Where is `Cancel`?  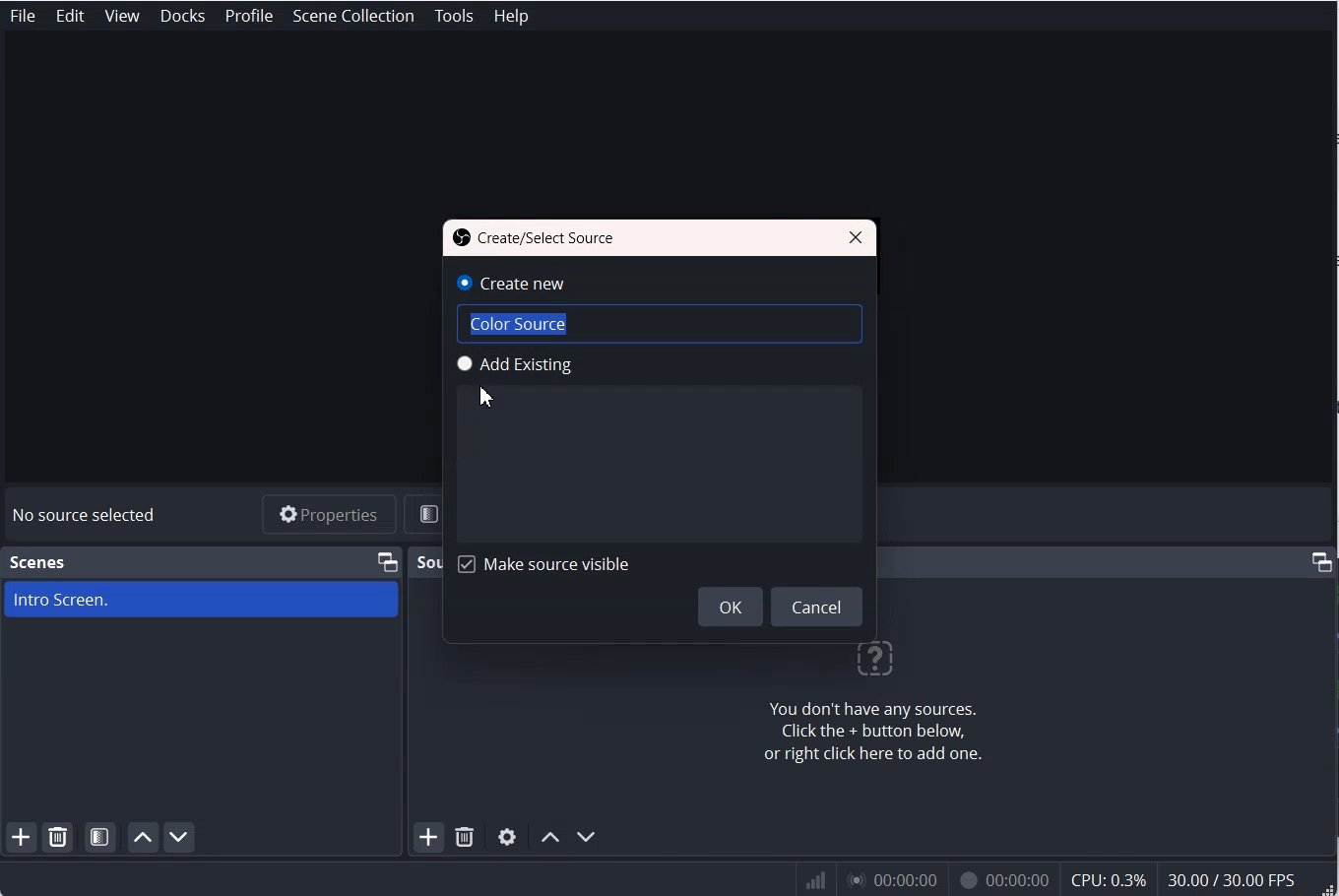 Cancel is located at coordinates (818, 607).